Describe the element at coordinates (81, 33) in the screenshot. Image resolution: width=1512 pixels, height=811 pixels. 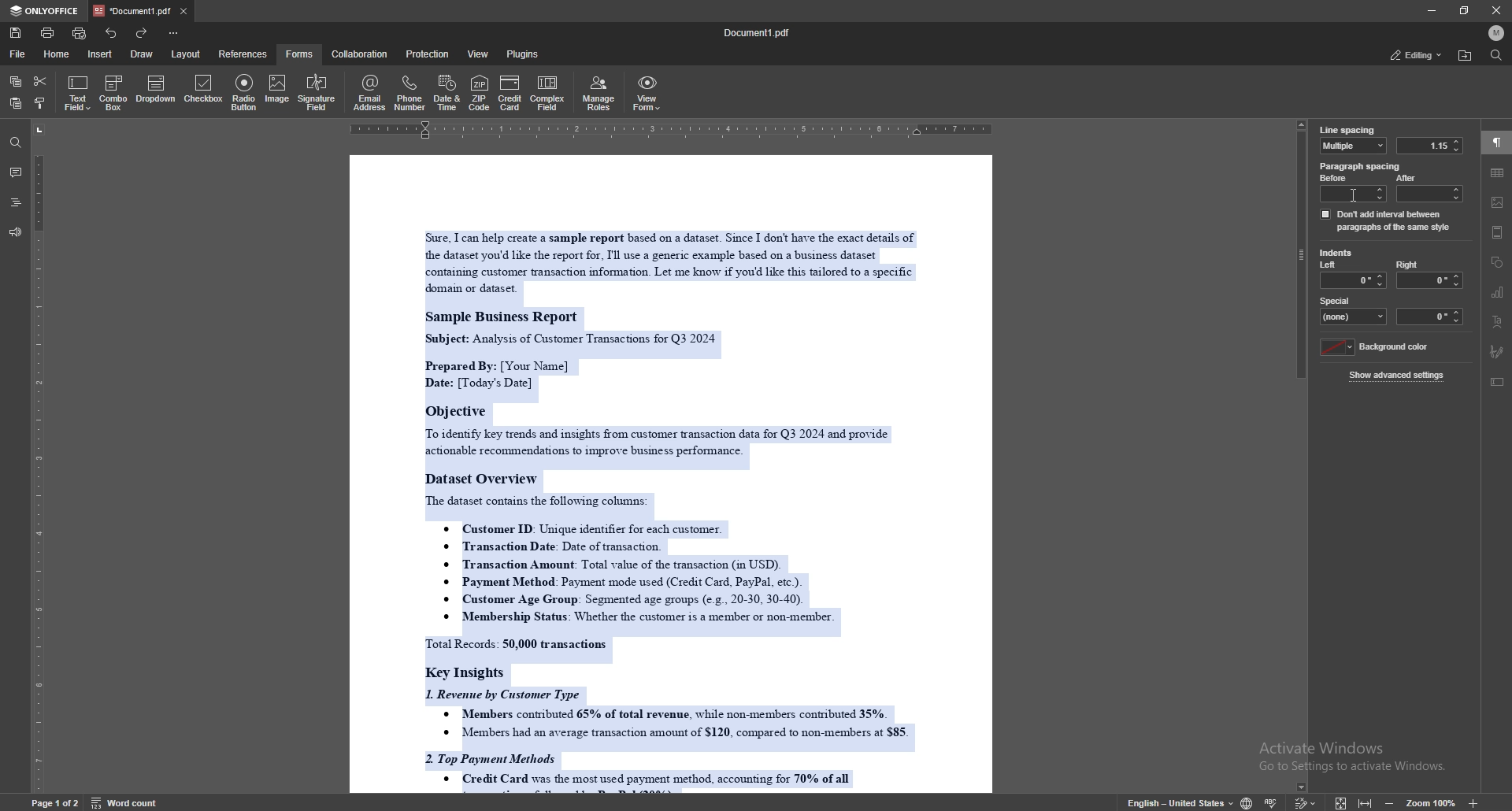
I see `quick print` at that location.